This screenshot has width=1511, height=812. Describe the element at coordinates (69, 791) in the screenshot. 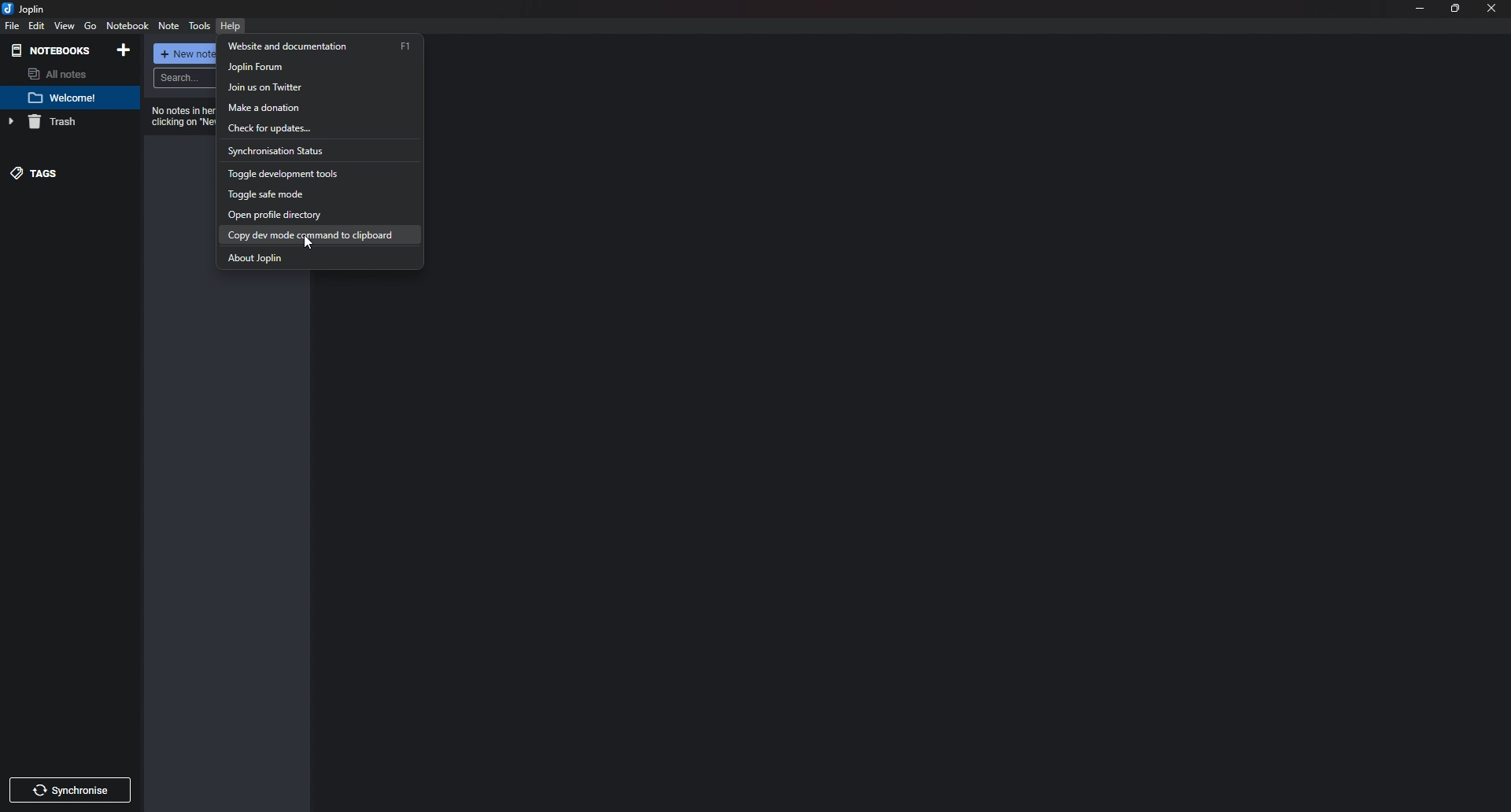

I see `Synchronize` at that location.